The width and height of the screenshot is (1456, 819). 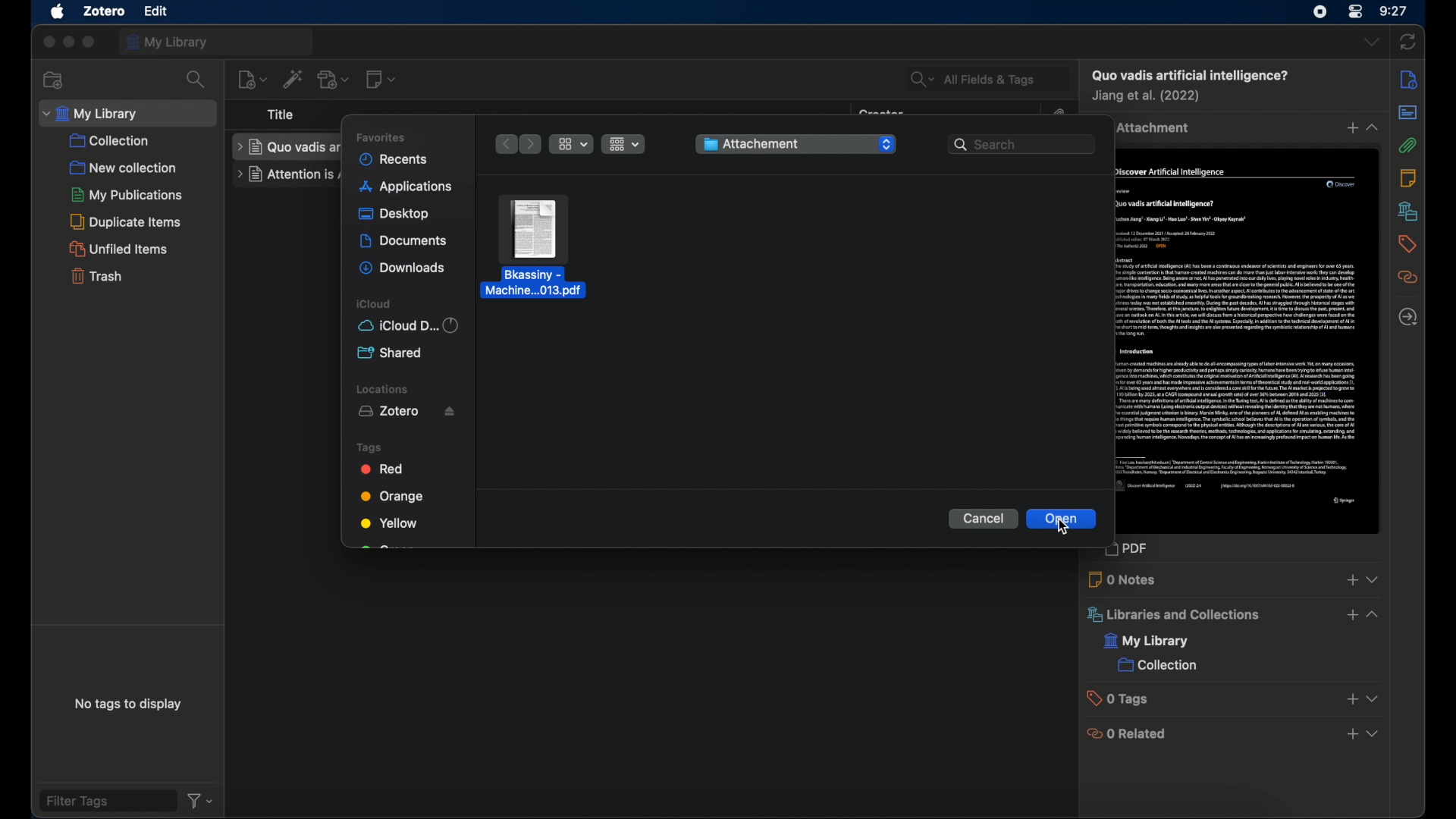 What do you see at coordinates (252, 78) in the screenshot?
I see `new item` at bounding box center [252, 78].